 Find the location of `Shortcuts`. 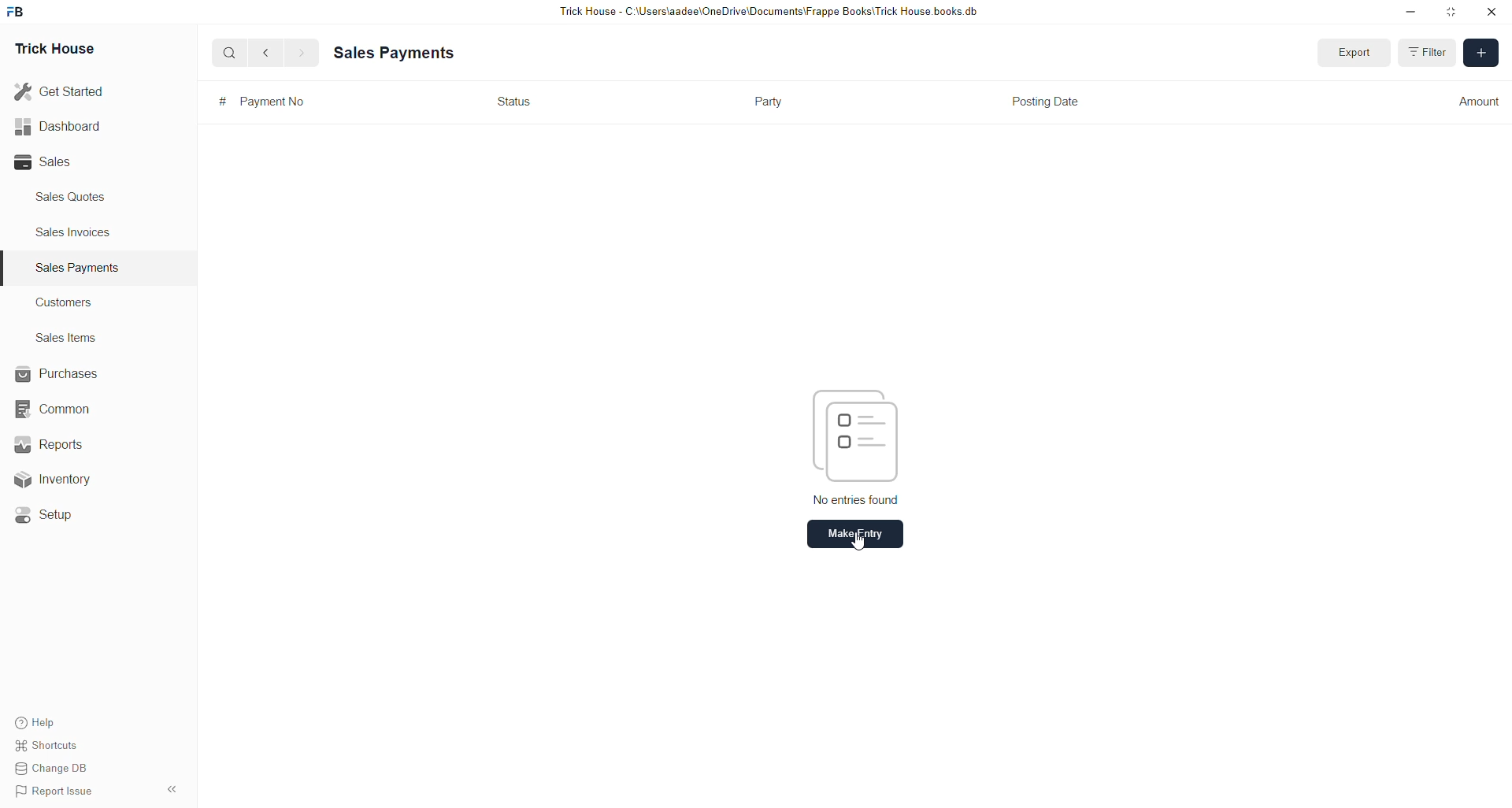

Shortcuts is located at coordinates (53, 743).